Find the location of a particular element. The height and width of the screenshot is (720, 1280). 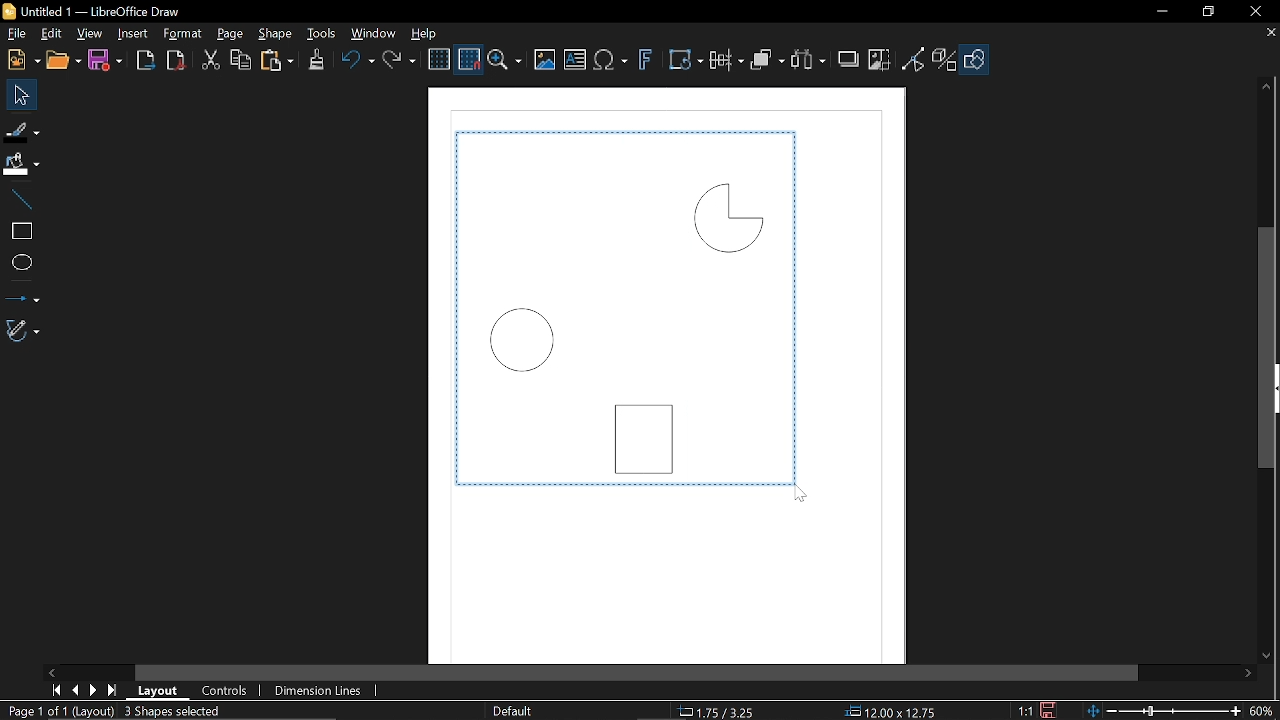

page 1of 1 (Layout) is located at coordinates (60, 710).